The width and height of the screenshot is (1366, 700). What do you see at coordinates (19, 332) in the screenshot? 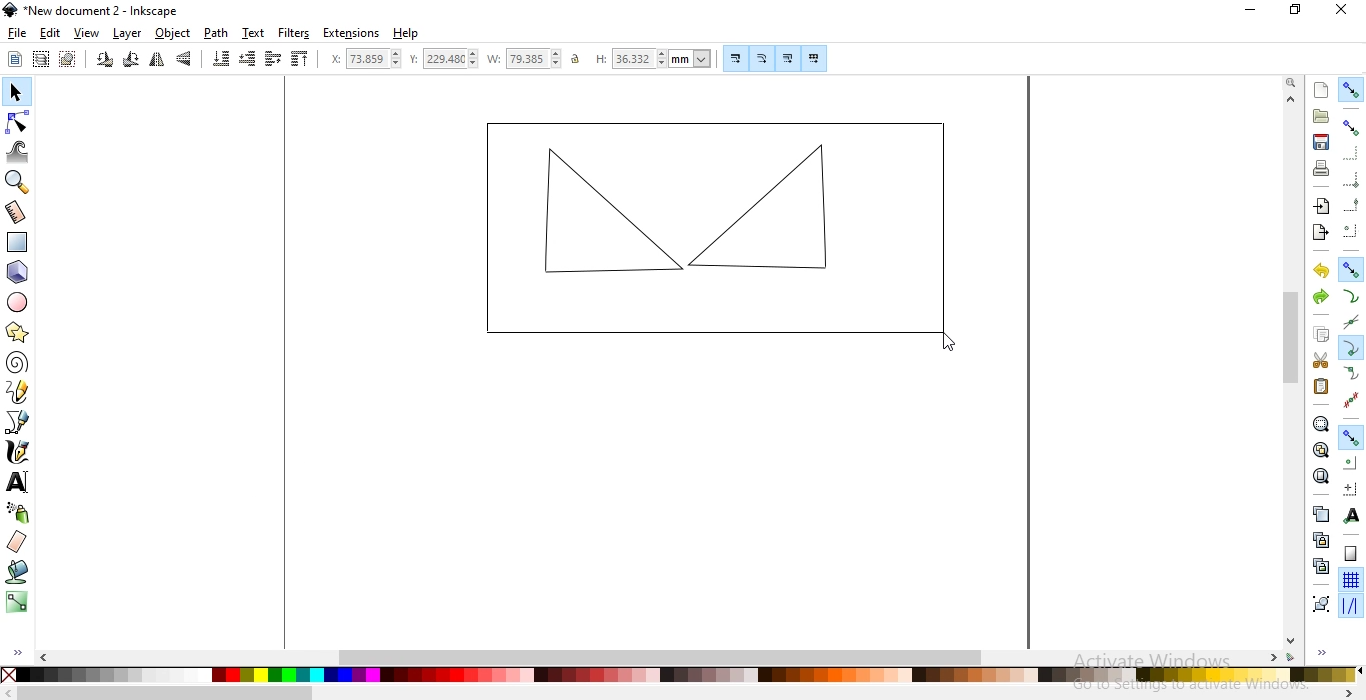
I see `create stars and polygons` at bounding box center [19, 332].